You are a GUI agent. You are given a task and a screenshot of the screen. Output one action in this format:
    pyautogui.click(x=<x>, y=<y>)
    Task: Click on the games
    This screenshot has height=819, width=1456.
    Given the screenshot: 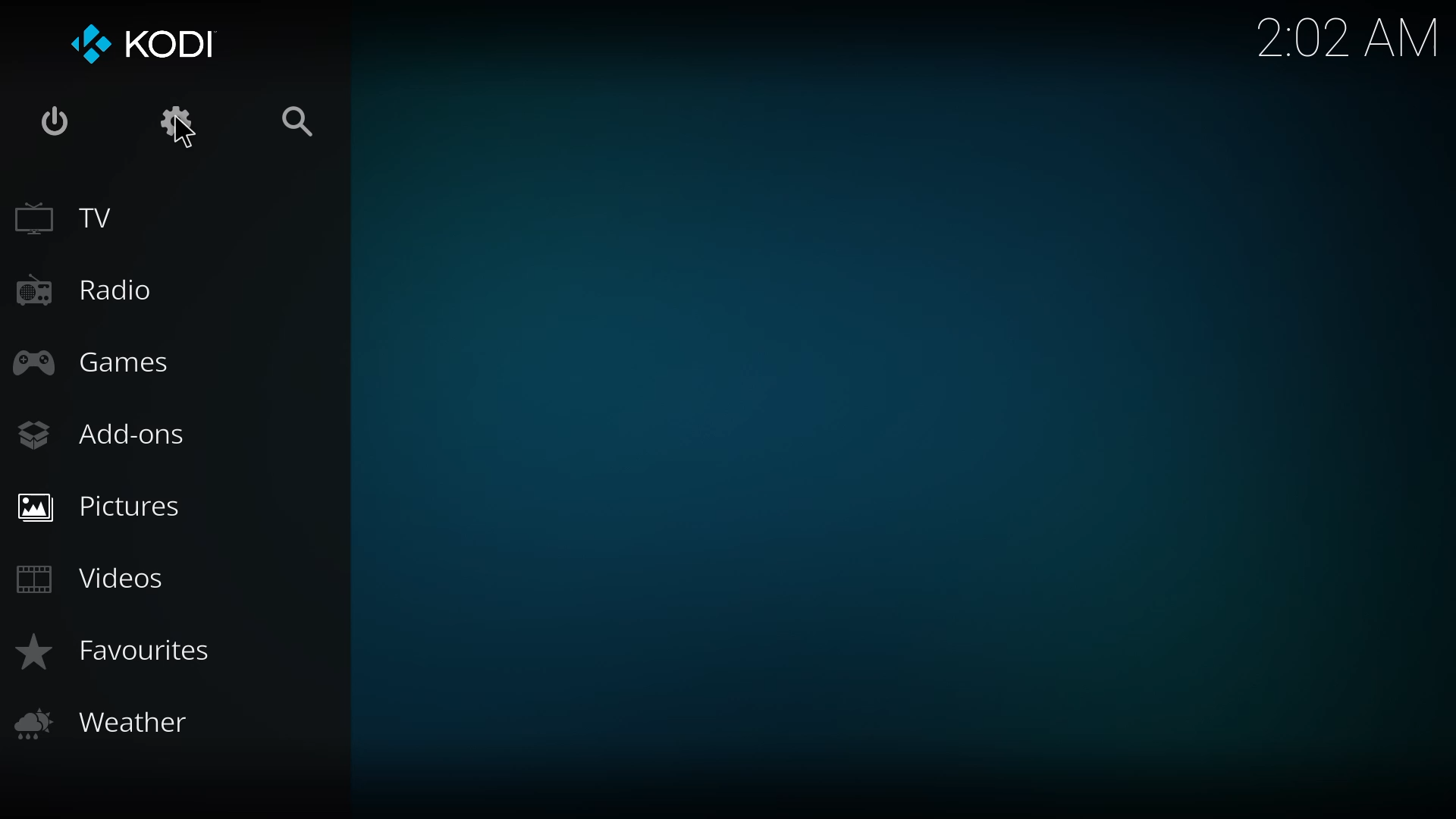 What is the action you would take?
    pyautogui.click(x=98, y=362)
    